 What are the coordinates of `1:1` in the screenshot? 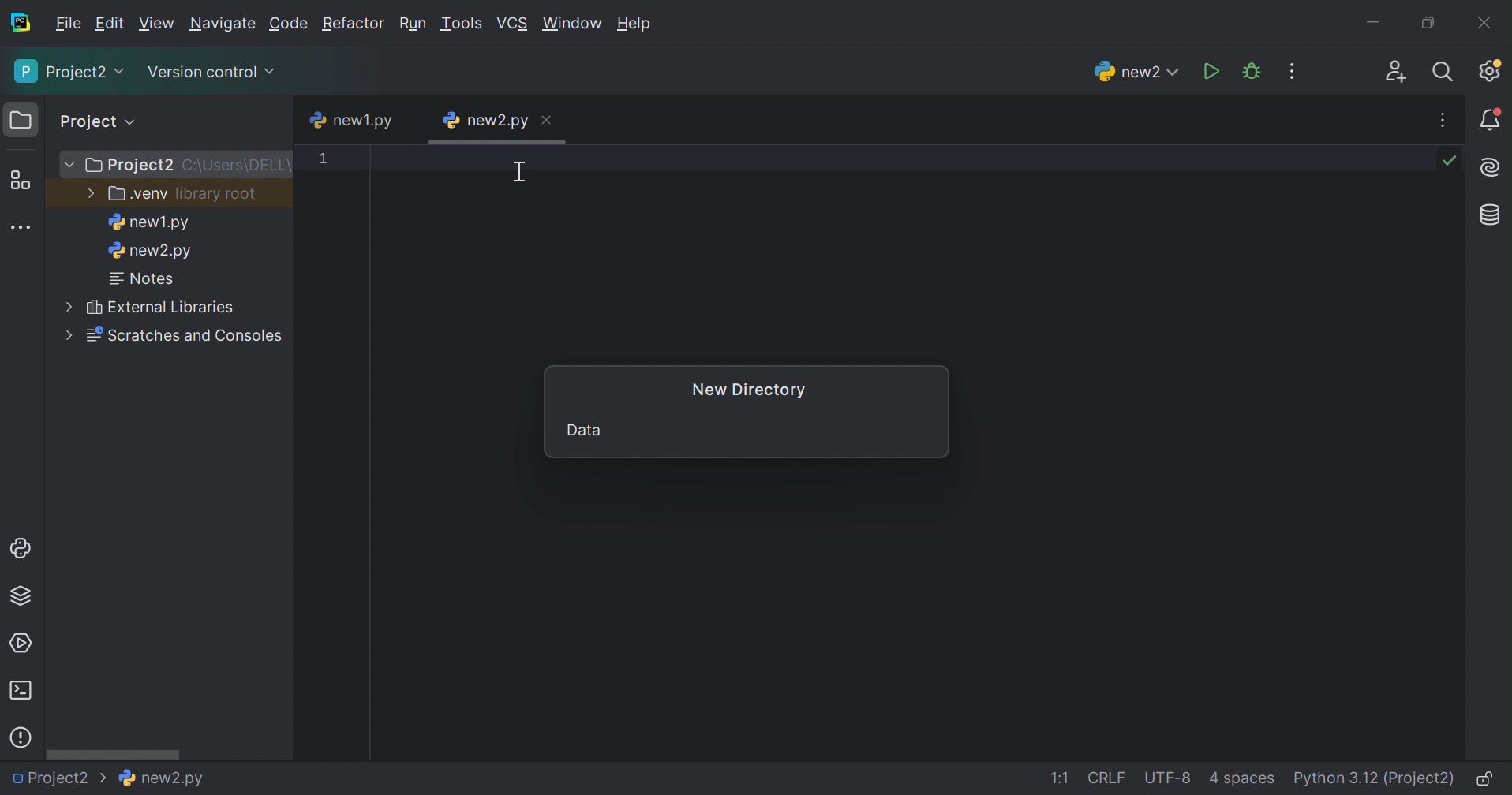 It's located at (1057, 778).